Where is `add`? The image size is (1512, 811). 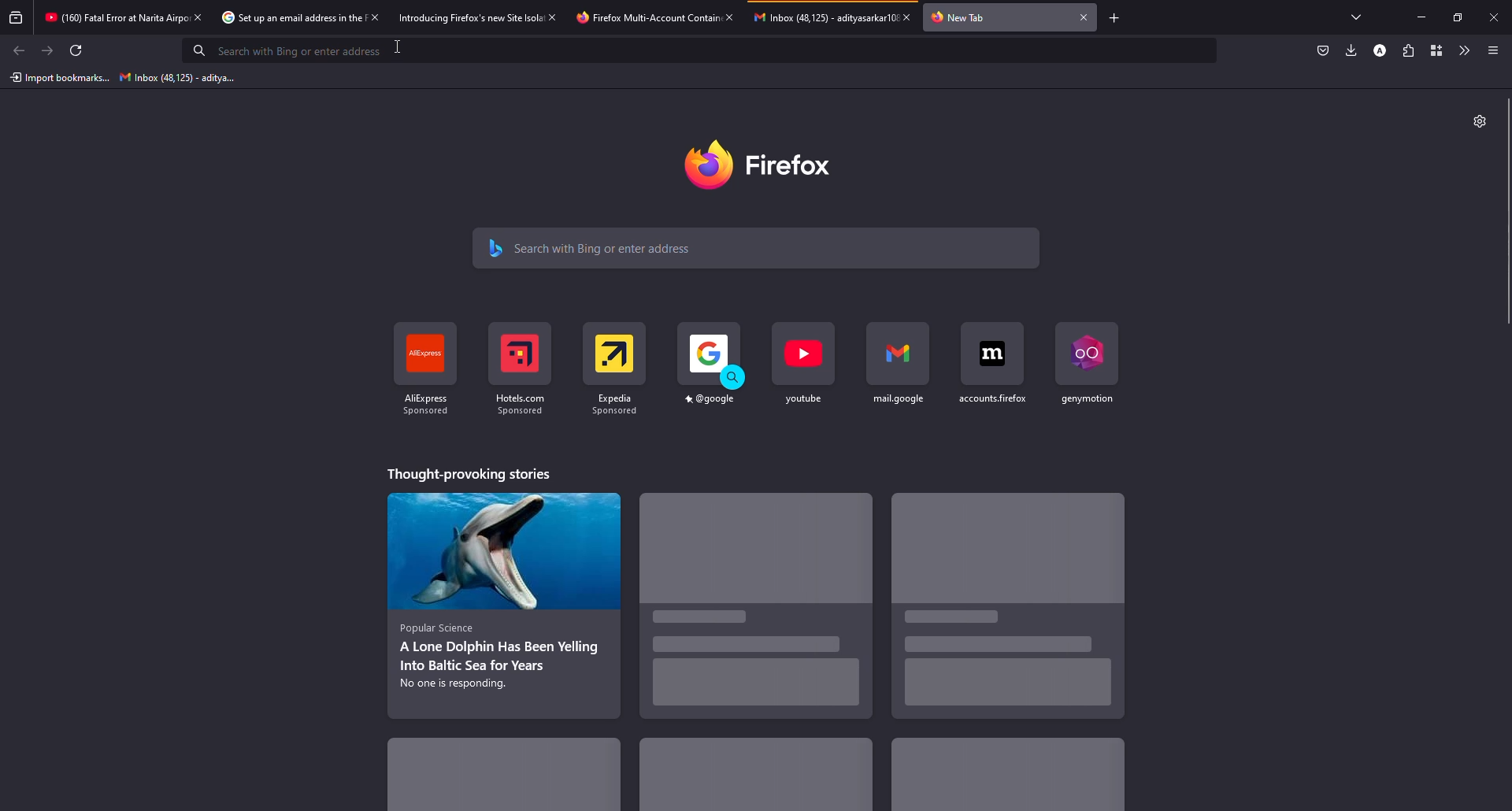
add is located at coordinates (1115, 19).